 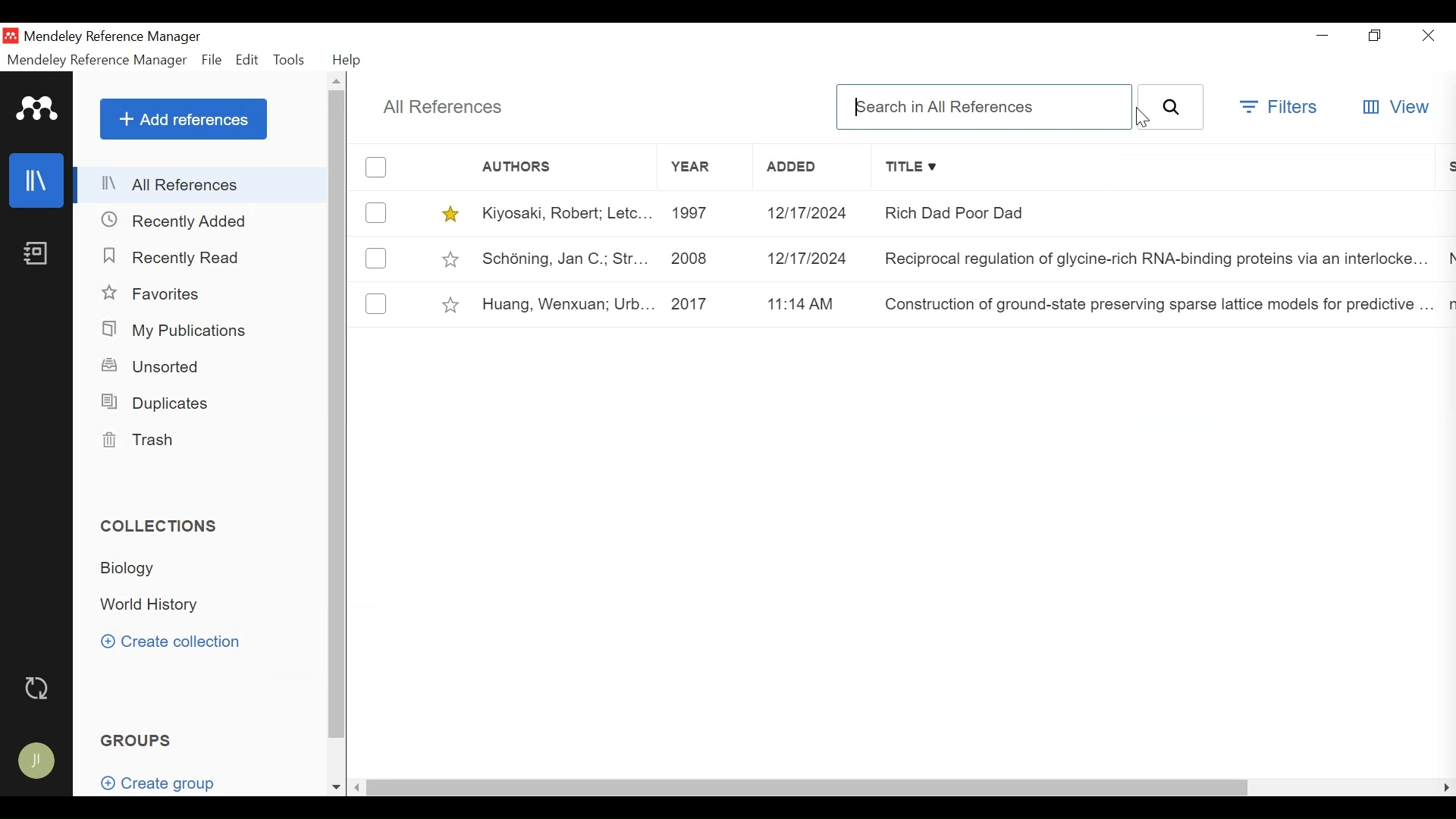 What do you see at coordinates (812, 304) in the screenshot?
I see `11:14 AM` at bounding box center [812, 304].